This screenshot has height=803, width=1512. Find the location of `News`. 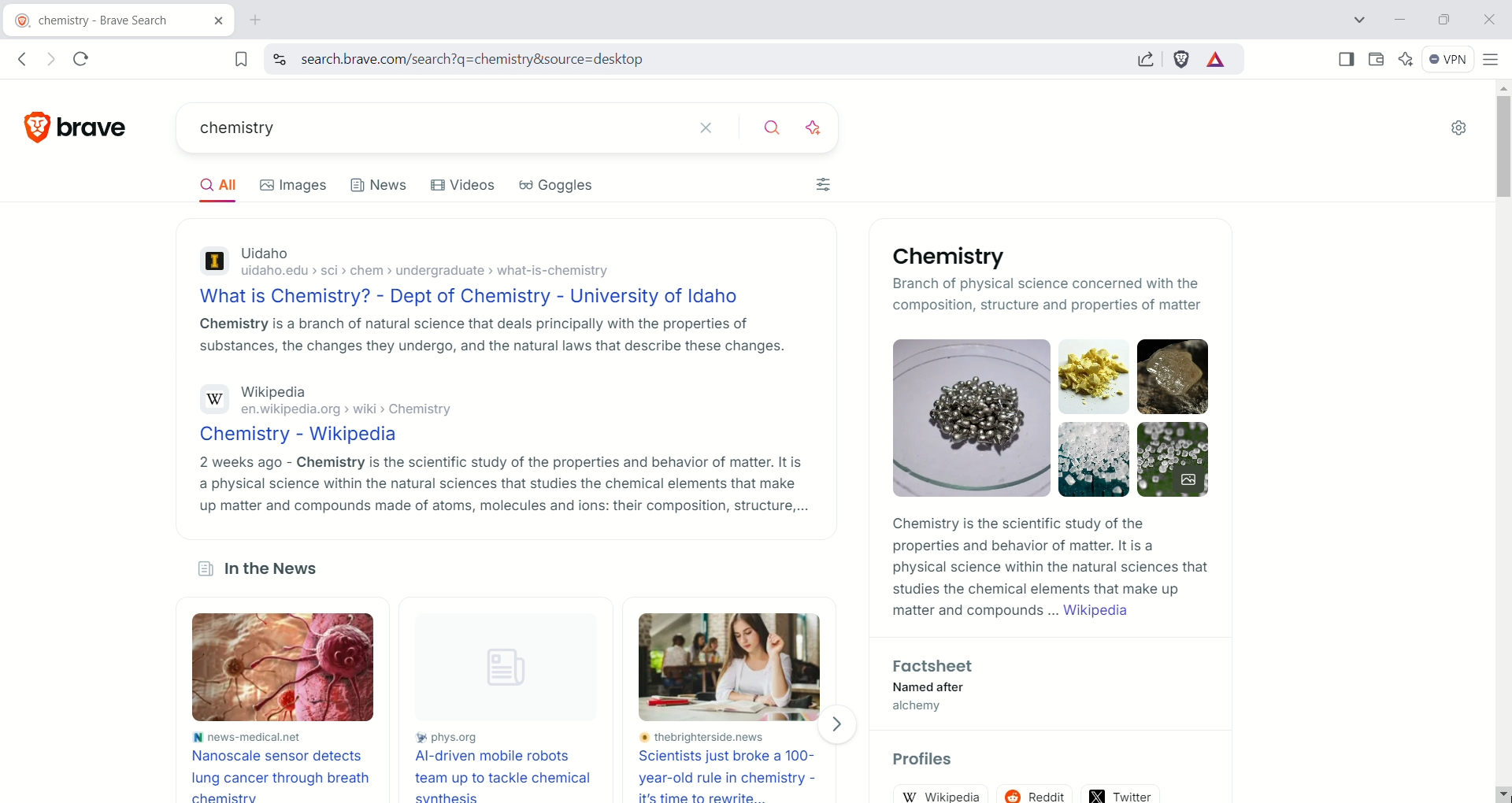

News is located at coordinates (380, 190).